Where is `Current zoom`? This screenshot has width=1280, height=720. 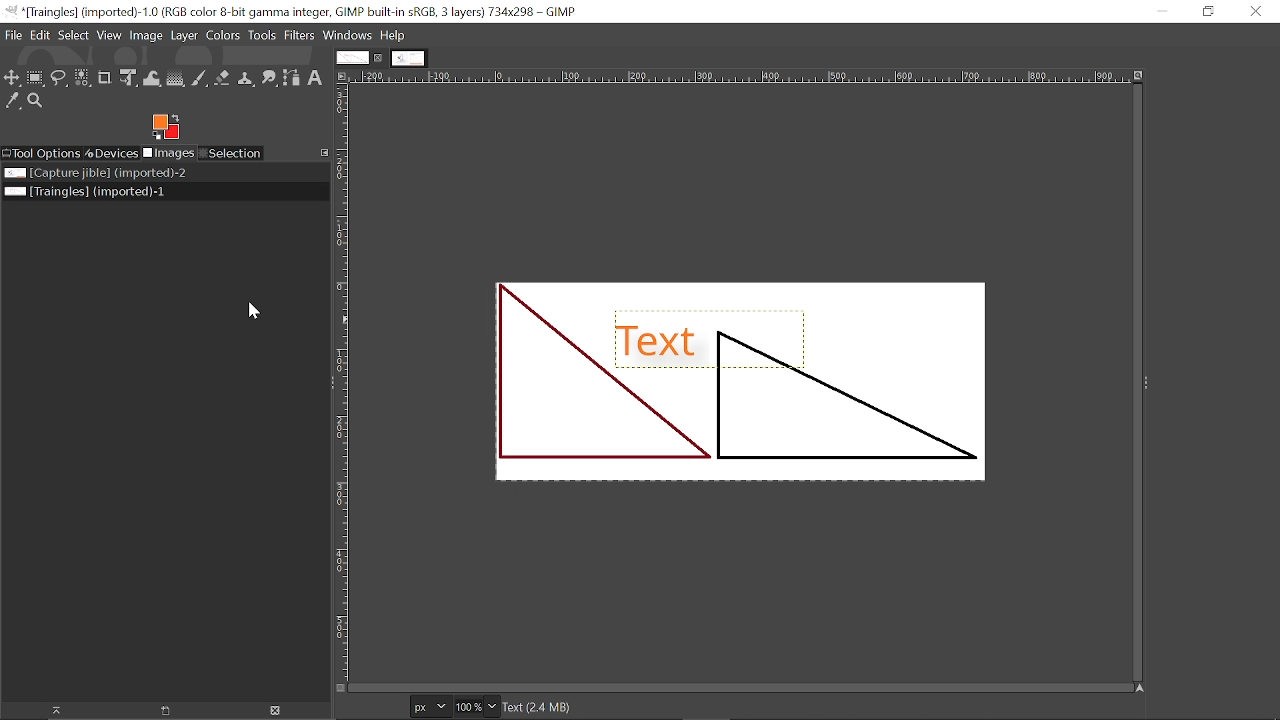 Current zoom is located at coordinates (468, 706).